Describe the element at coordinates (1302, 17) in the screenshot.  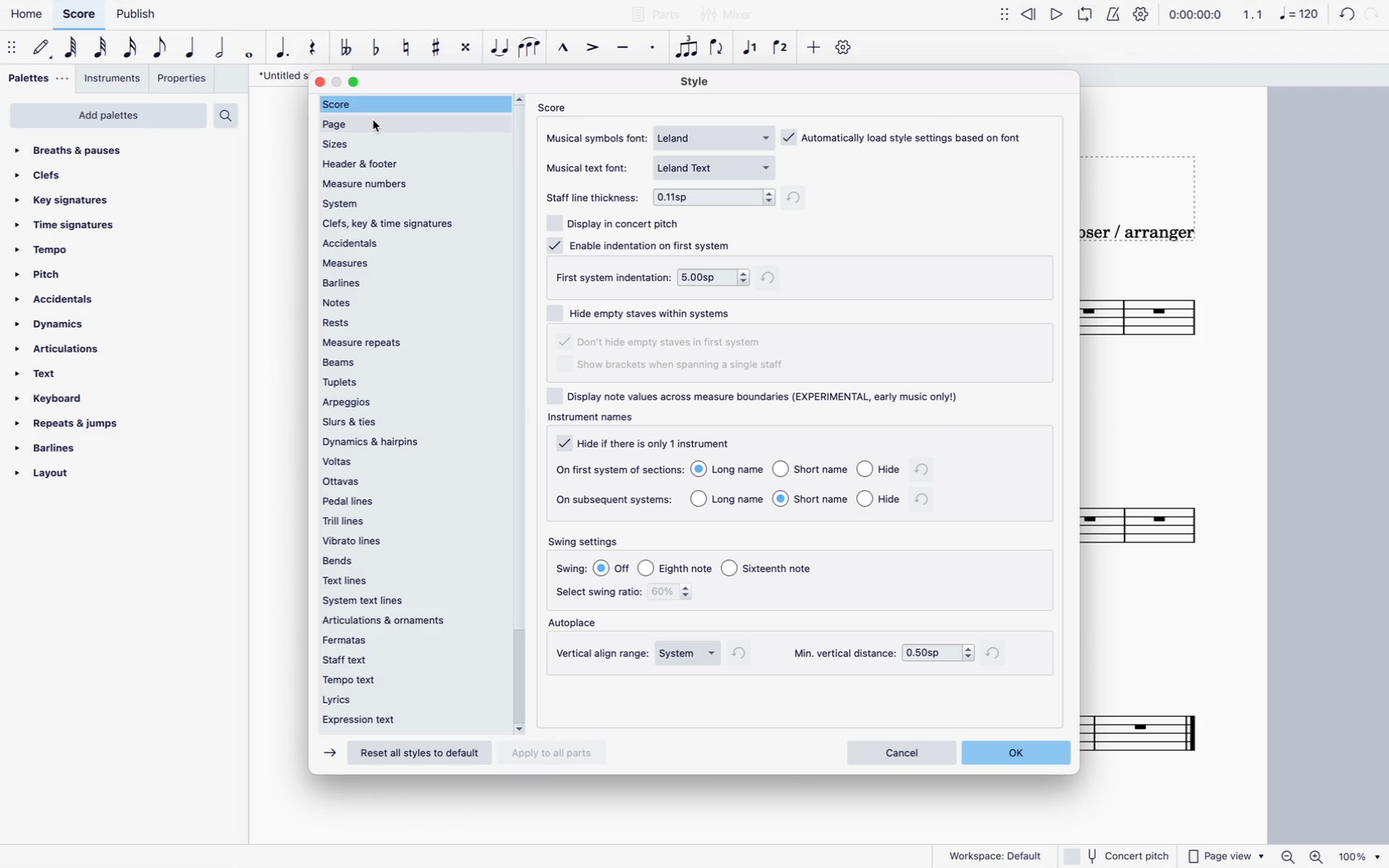
I see `Note 120` at that location.